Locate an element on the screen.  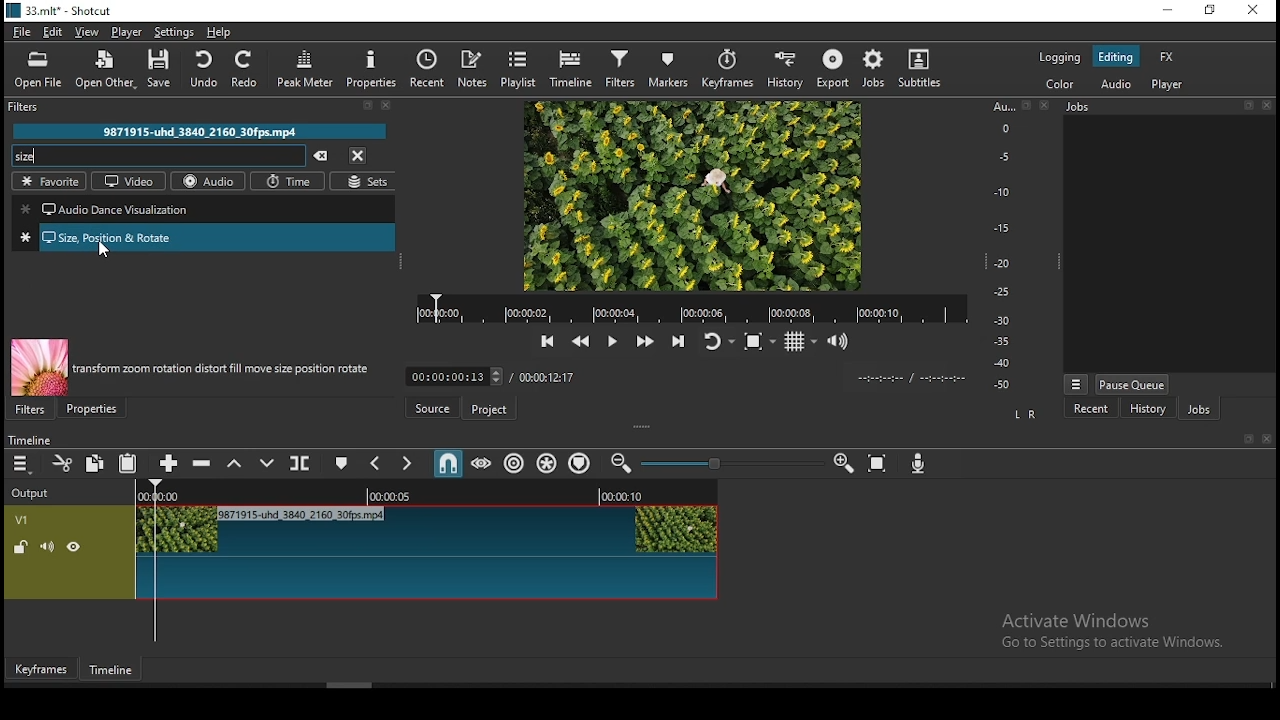
-35 is located at coordinates (1000, 339).